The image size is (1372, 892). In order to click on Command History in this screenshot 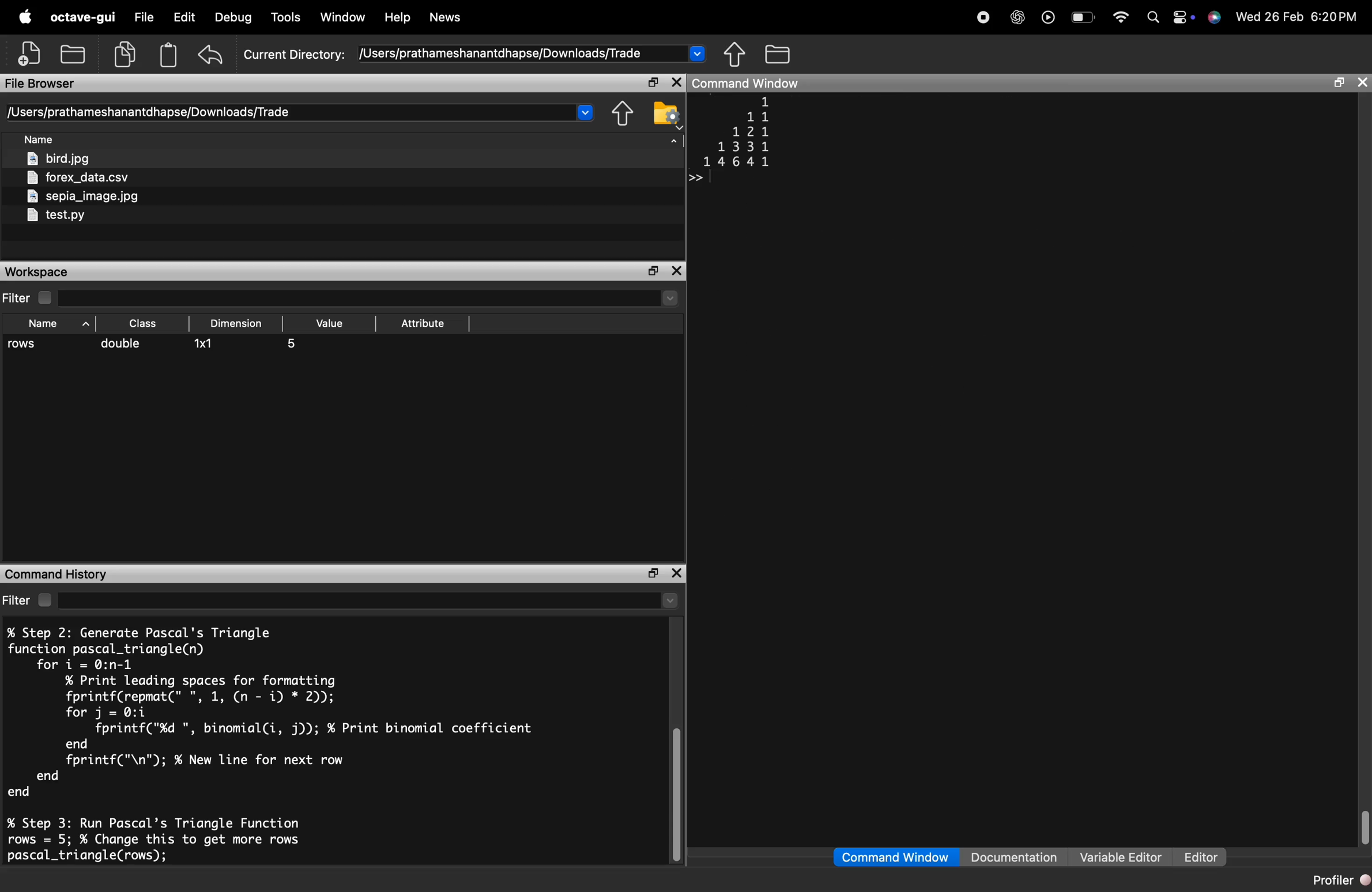, I will do `click(56, 574)`.